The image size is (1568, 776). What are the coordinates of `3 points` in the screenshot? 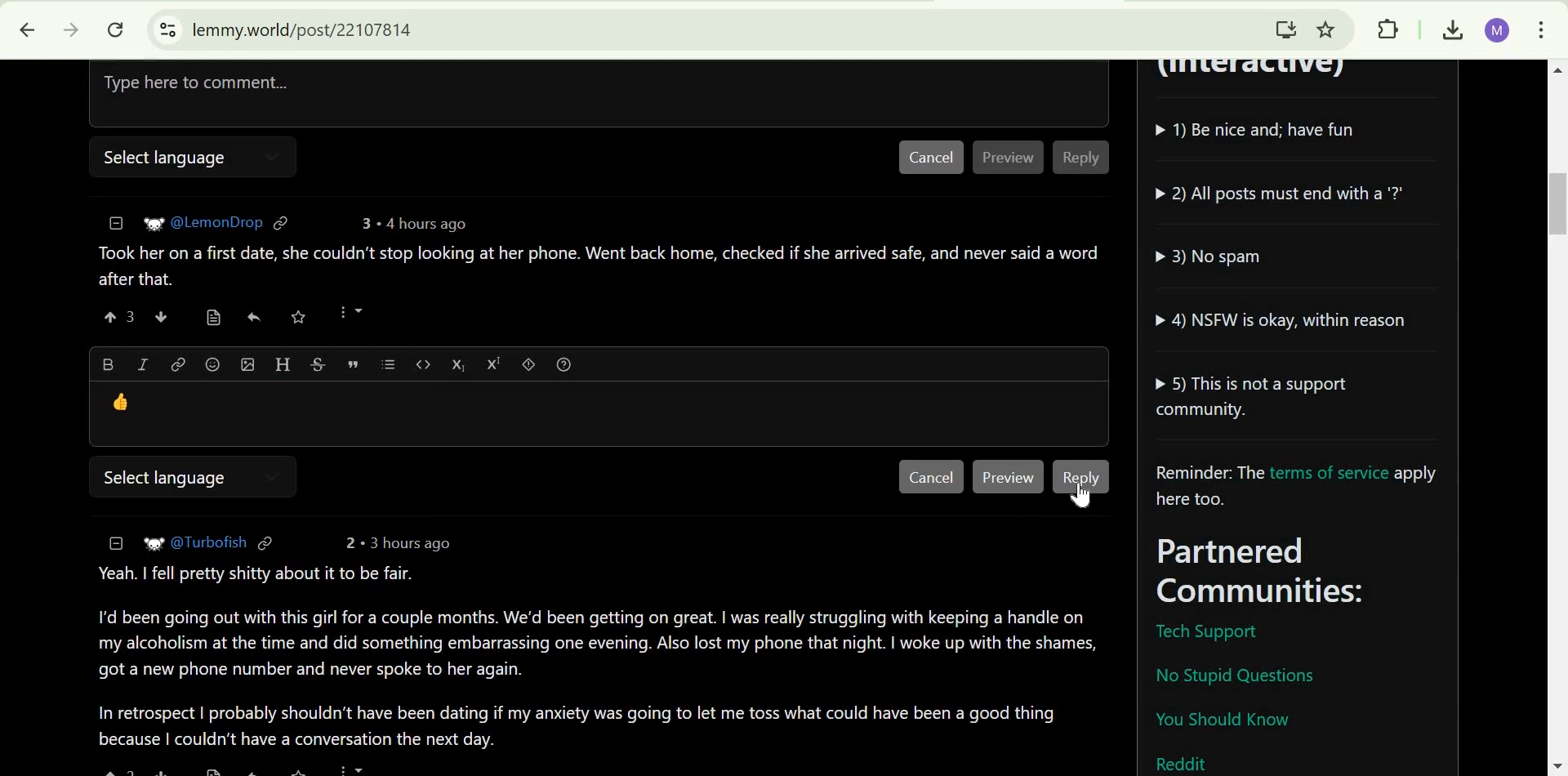 It's located at (363, 223).